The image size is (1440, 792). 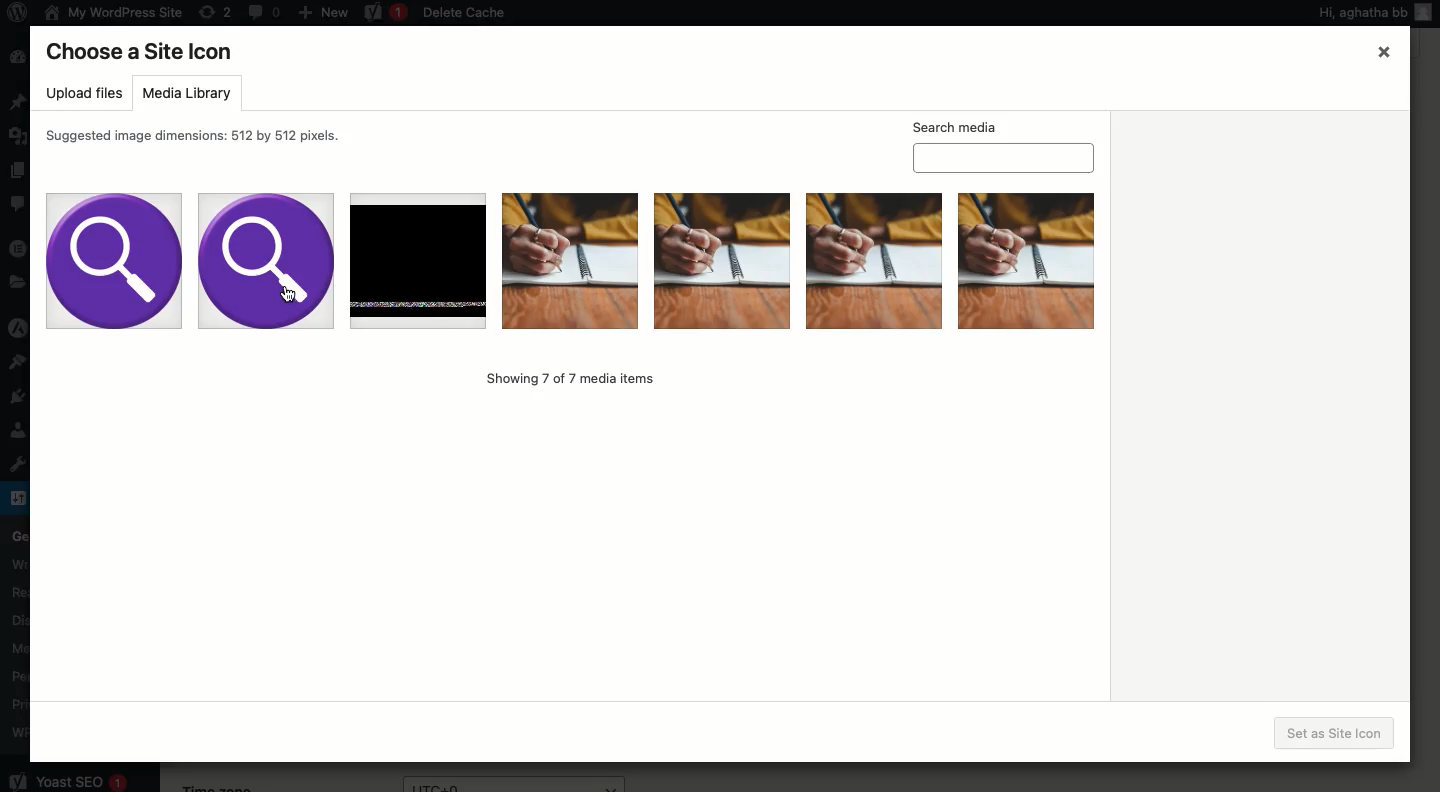 What do you see at coordinates (19, 207) in the screenshot?
I see `Comment` at bounding box center [19, 207].